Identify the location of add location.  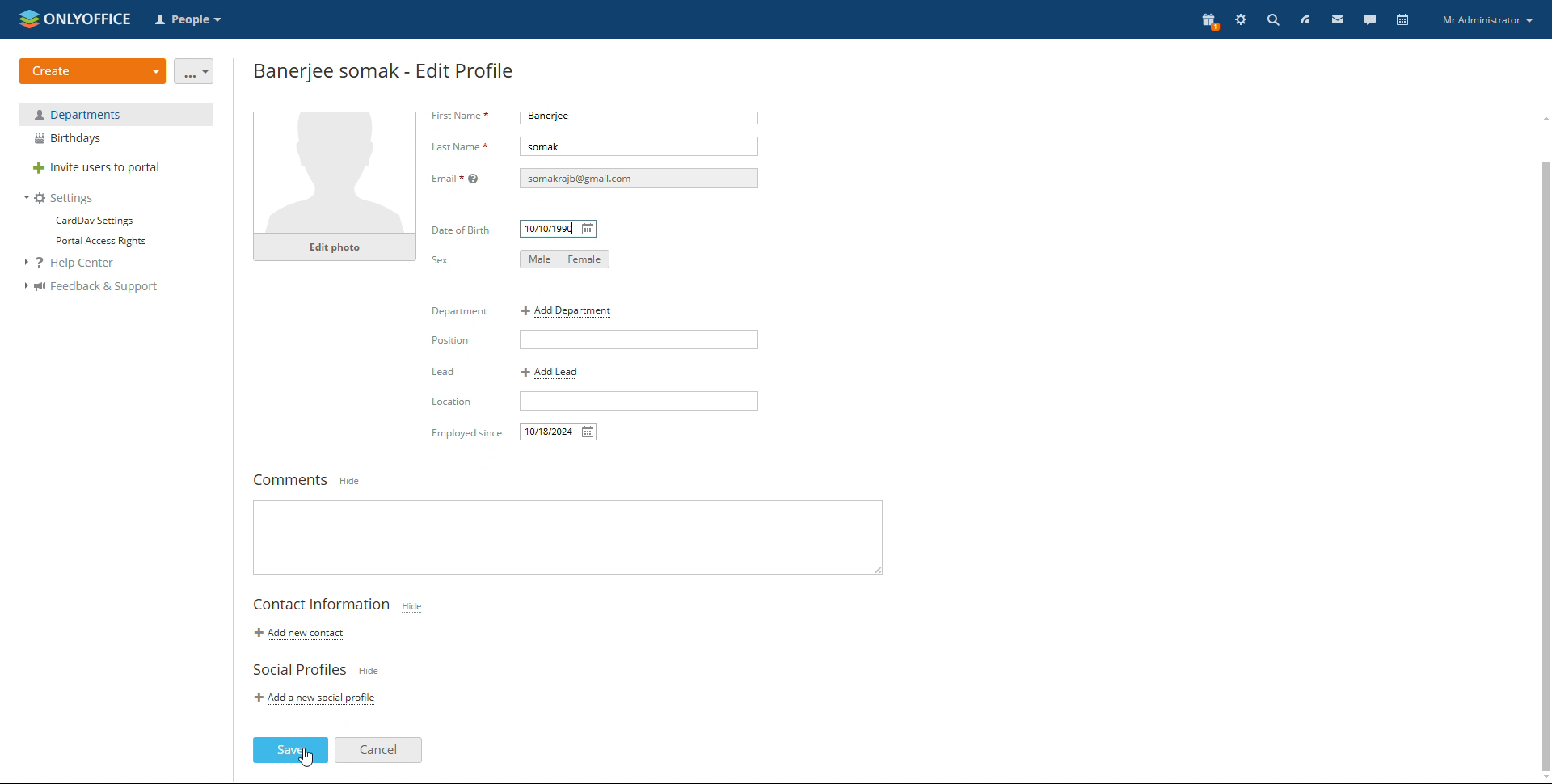
(639, 403).